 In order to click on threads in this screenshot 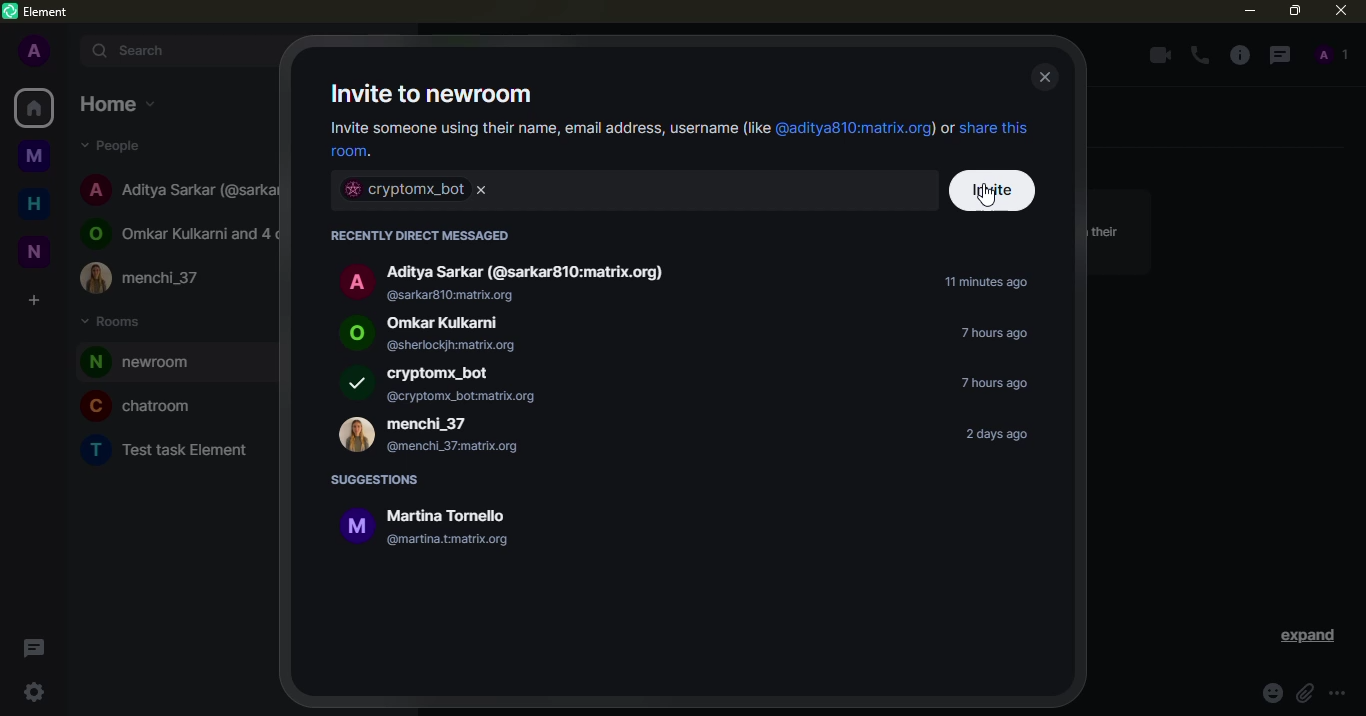, I will do `click(34, 647)`.